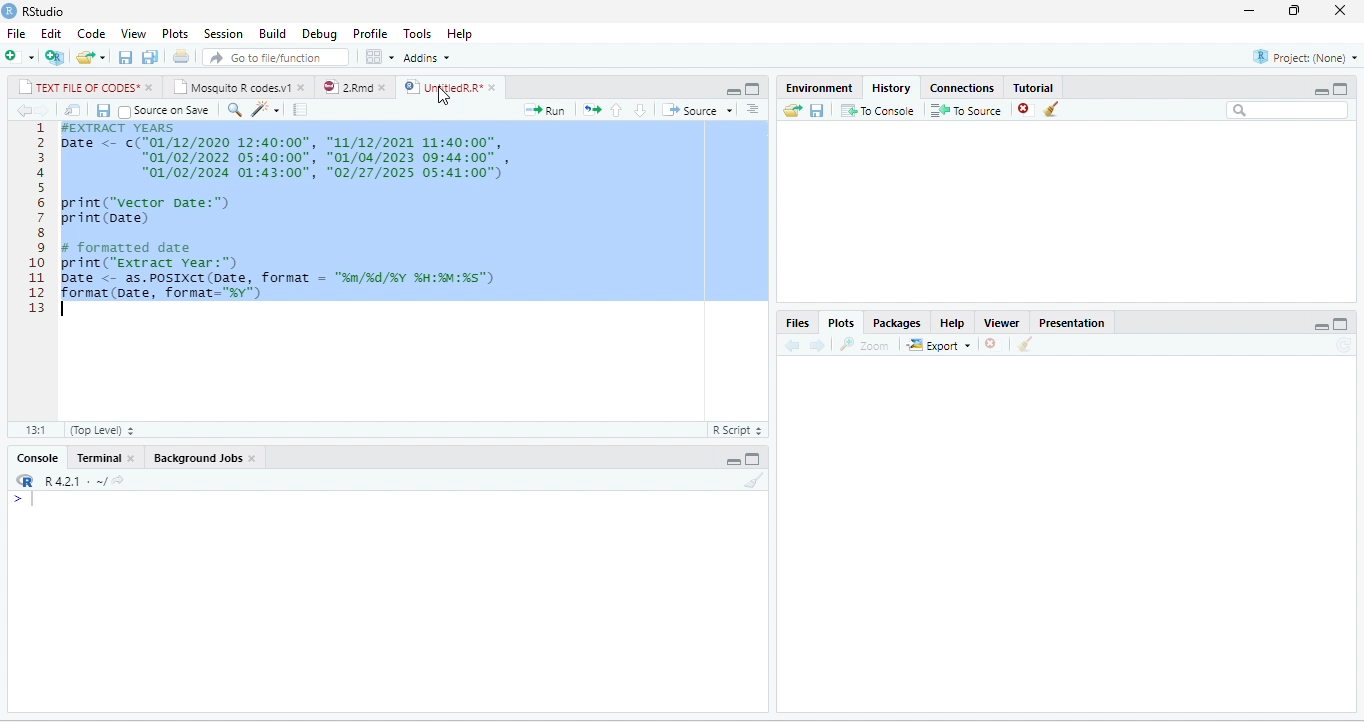 This screenshot has width=1364, height=722. What do you see at coordinates (494, 88) in the screenshot?
I see `close` at bounding box center [494, 88].